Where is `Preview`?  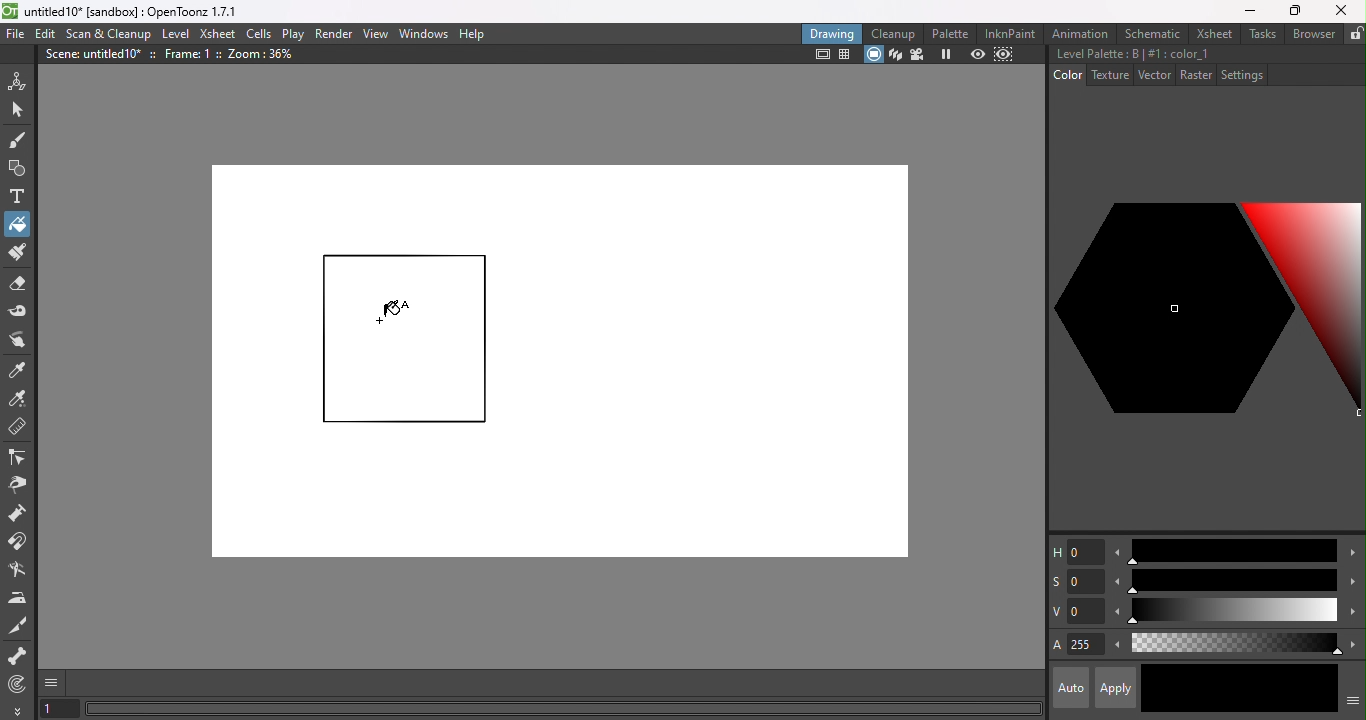
Preview is located at coordinates (978, 54).